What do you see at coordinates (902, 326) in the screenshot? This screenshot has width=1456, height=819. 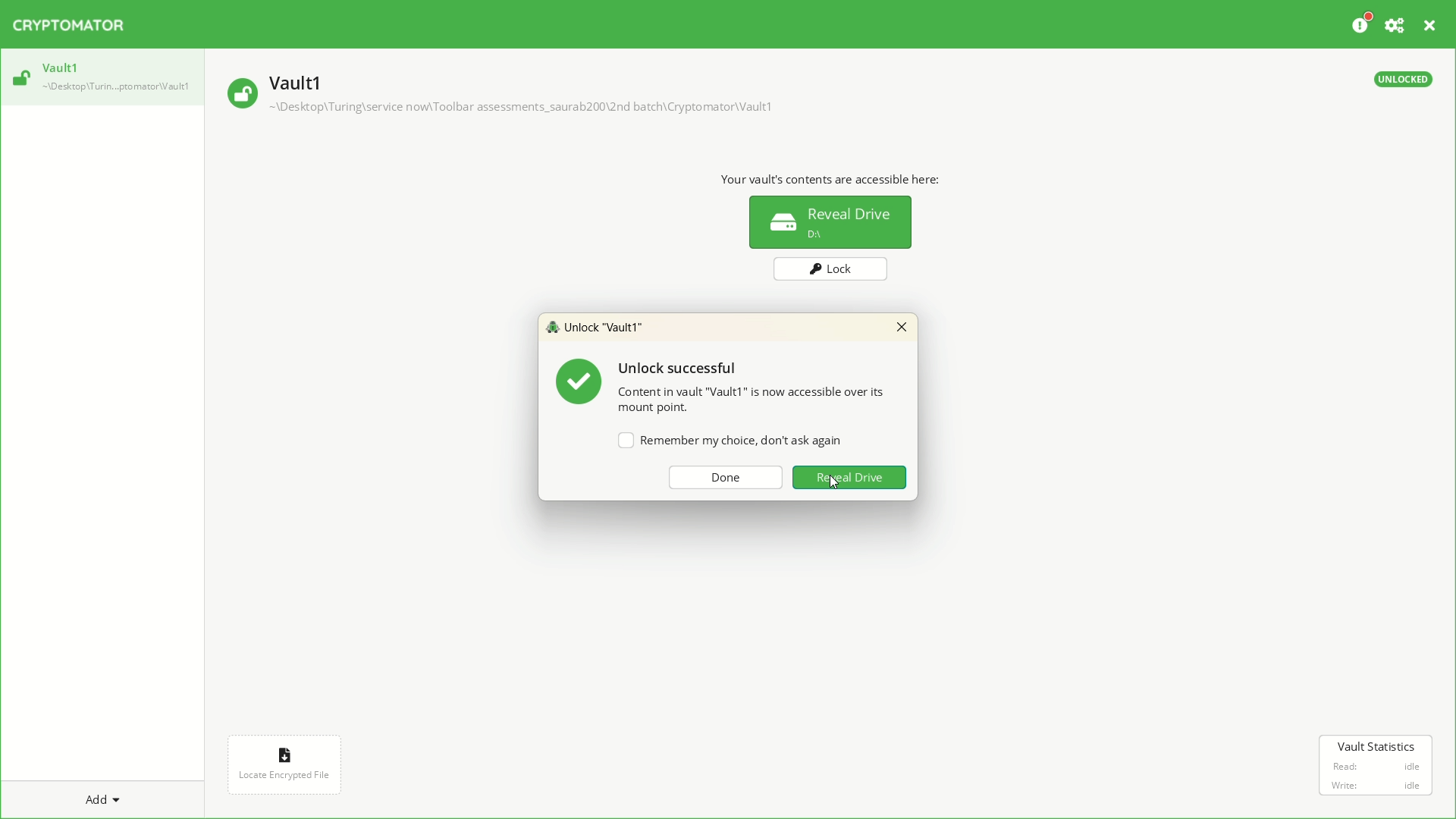 I see `close` at bounding box center [902, 326].